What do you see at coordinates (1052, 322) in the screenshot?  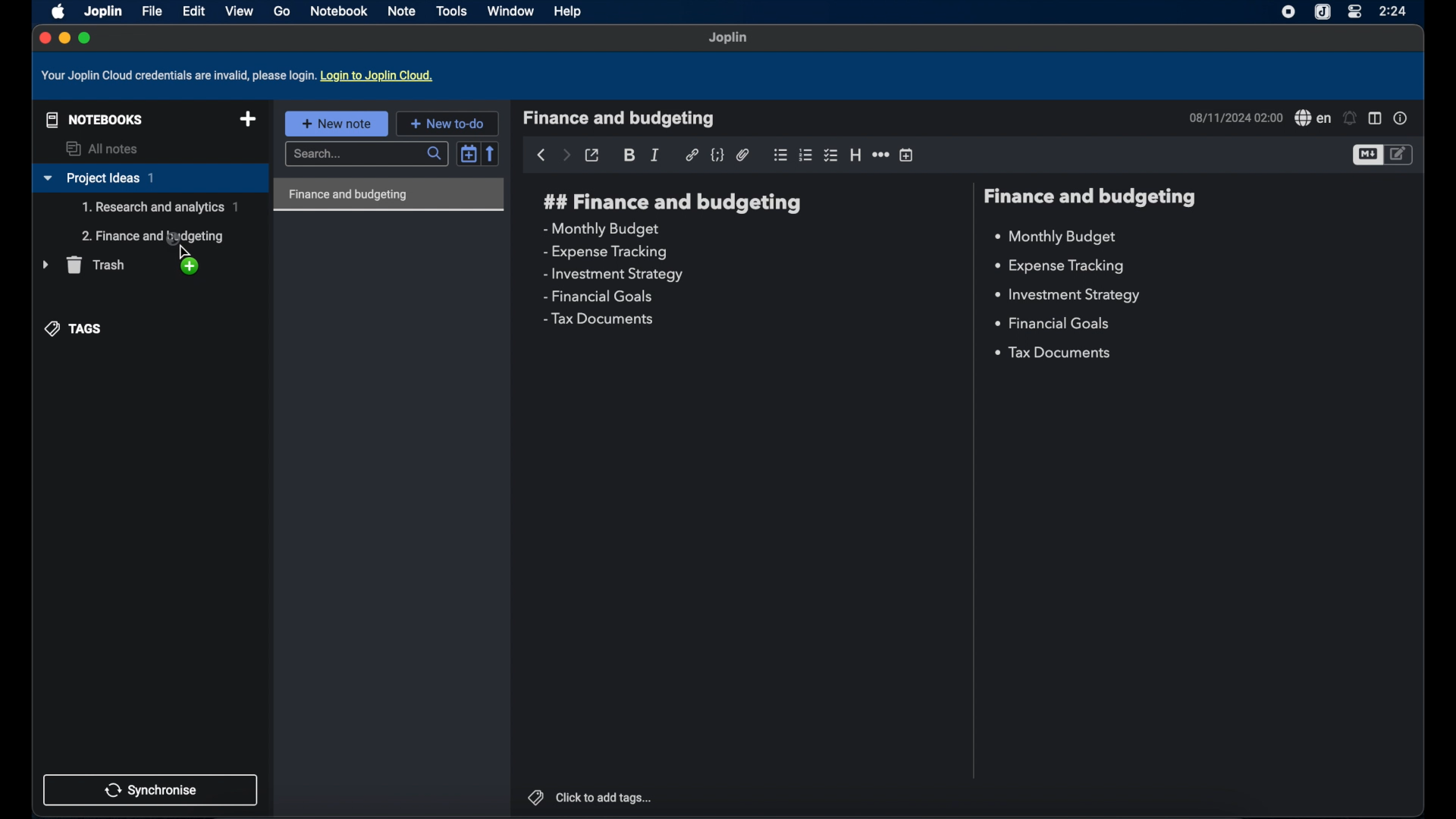 I see `financial goals` at bounding box center [1052, 322].